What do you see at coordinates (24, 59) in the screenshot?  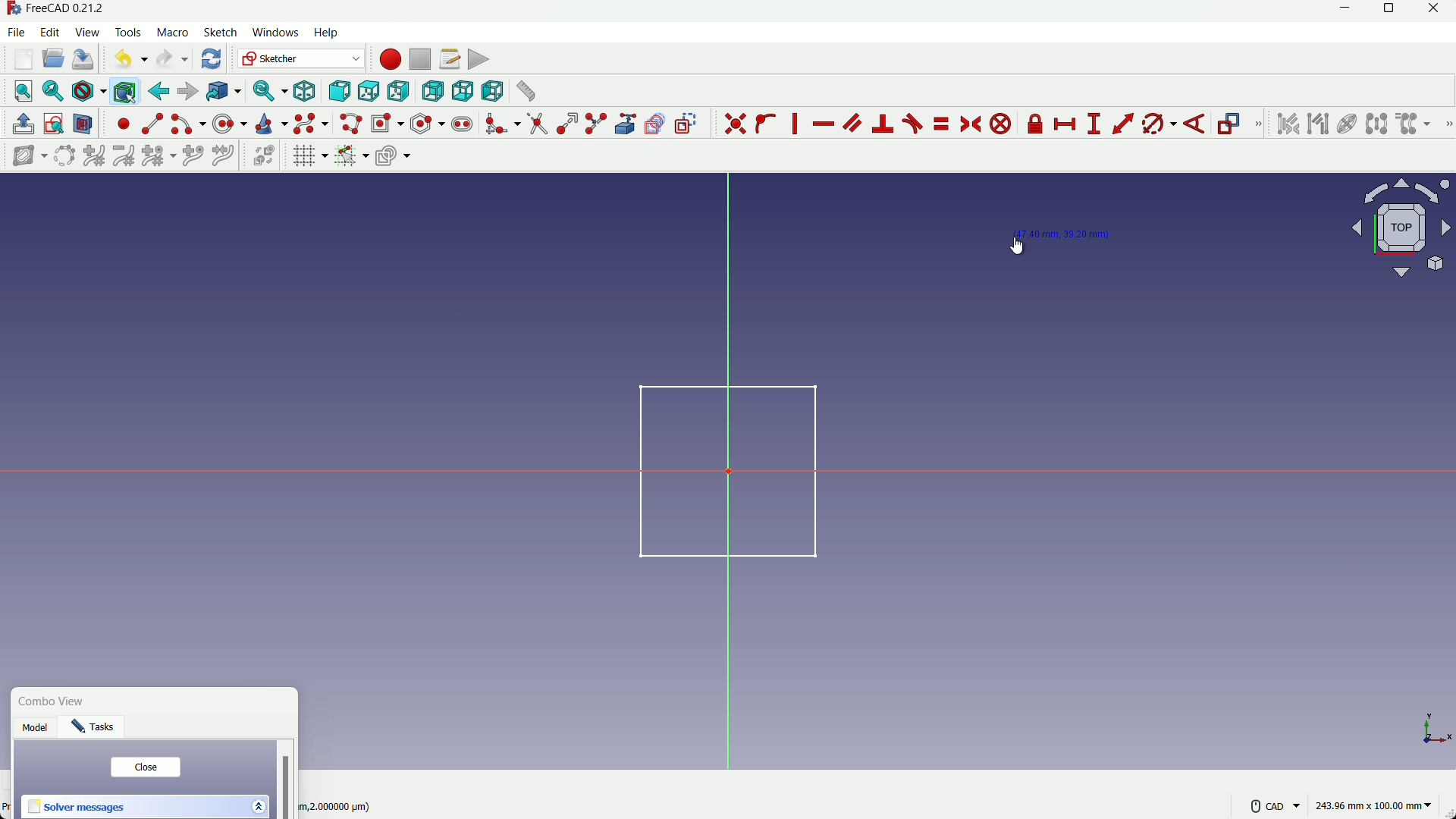 I see `new file` at bounding box center [24, 59].